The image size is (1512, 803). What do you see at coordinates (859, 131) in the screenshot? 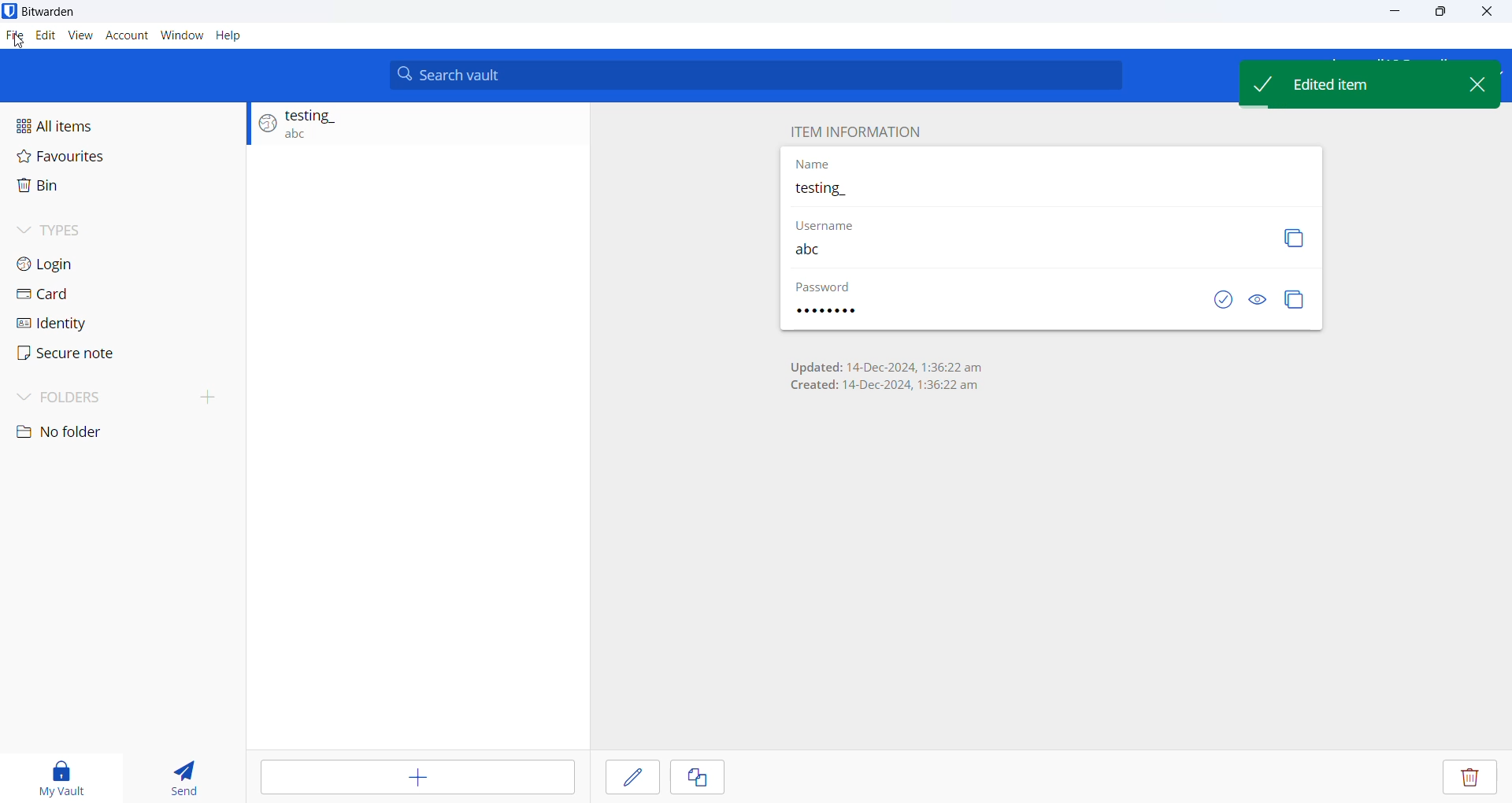
I see `Item information heading` at bounding box center [859, 131].